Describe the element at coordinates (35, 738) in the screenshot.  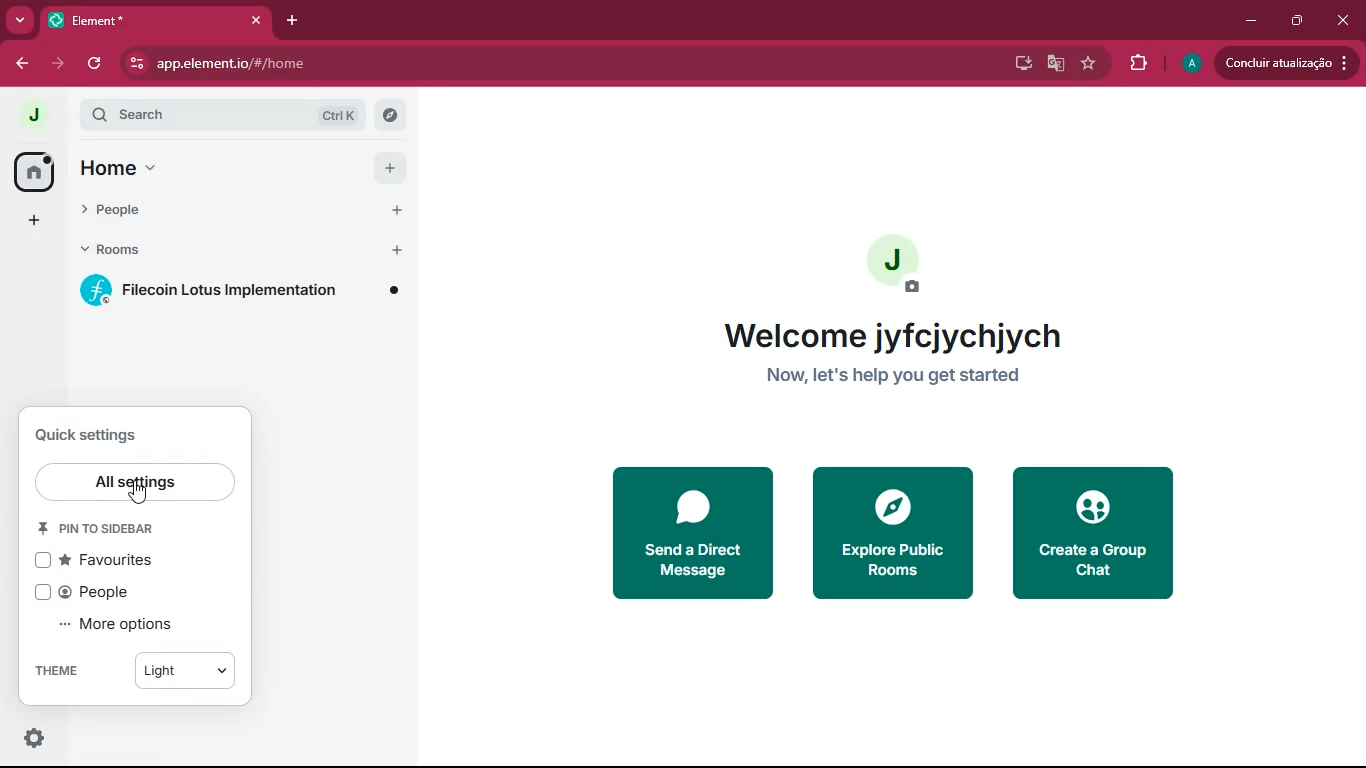
I see `quick settings` at that location.